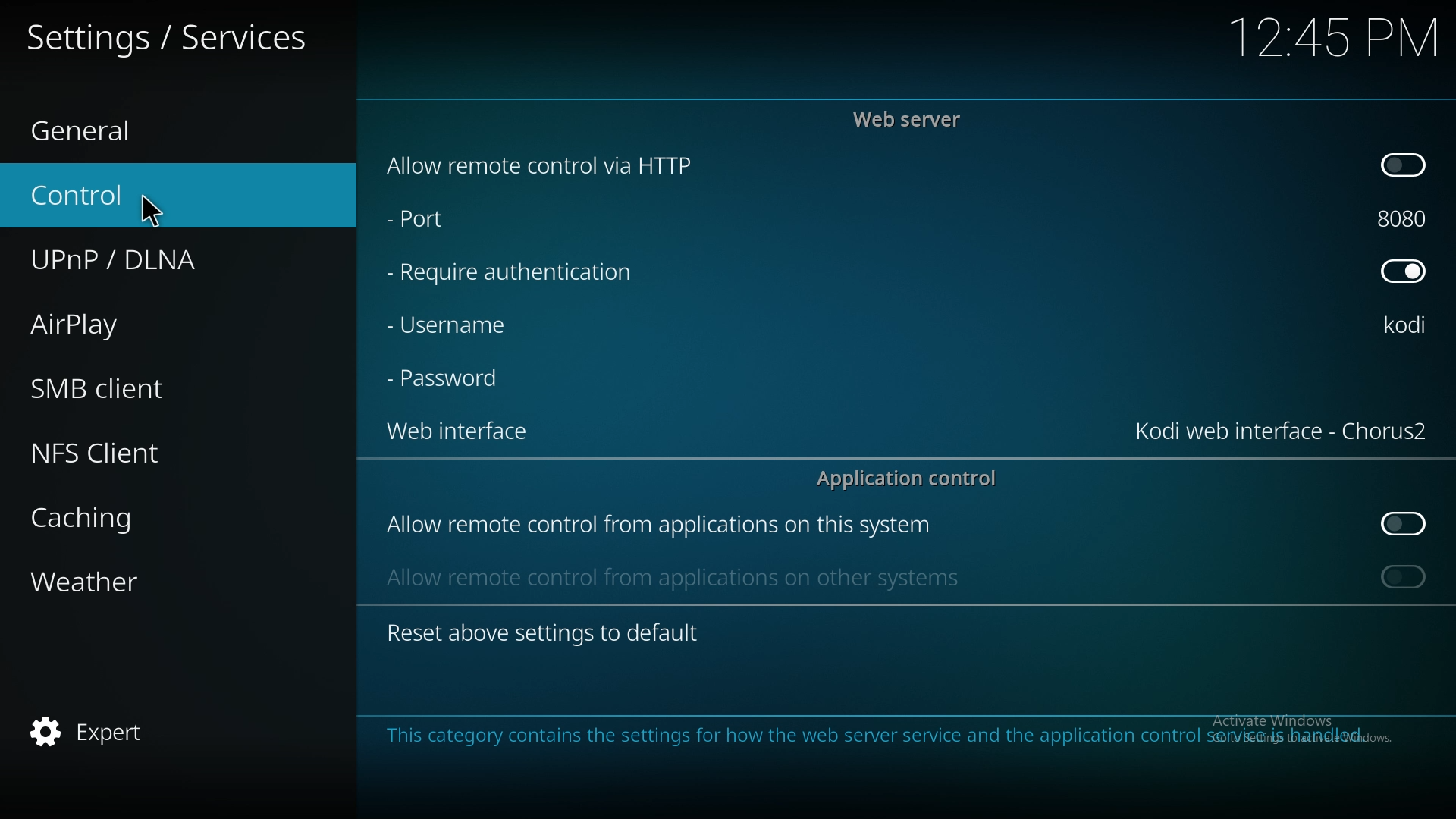 This screenshot has height=819, width=1456. What do you see at coordinates (132, 383) in the screenshot?
I see `smb client` at bounding box center [132, 383].